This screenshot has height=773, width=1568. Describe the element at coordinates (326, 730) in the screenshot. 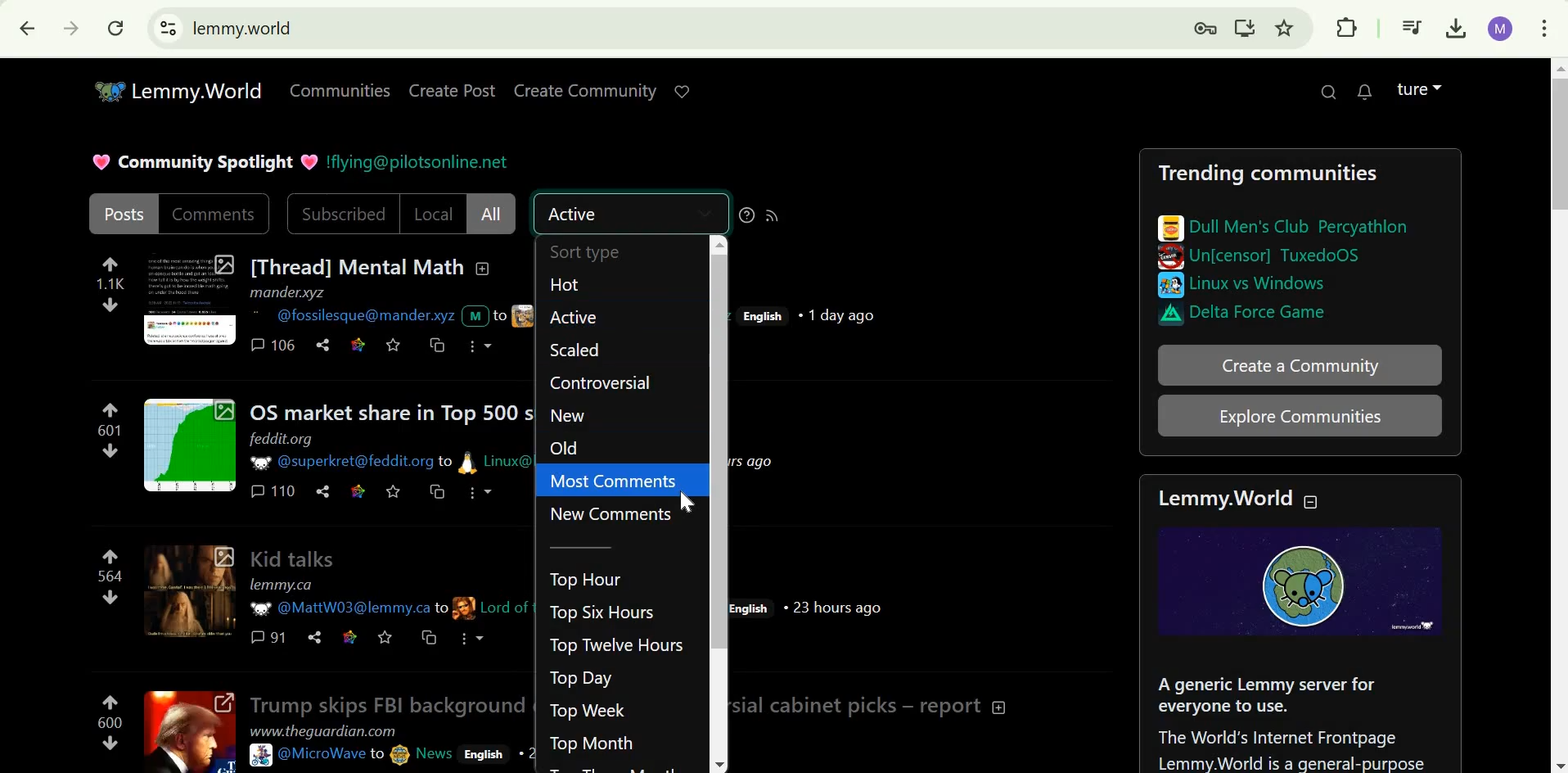

I see `www.theguardian.com` at that location.